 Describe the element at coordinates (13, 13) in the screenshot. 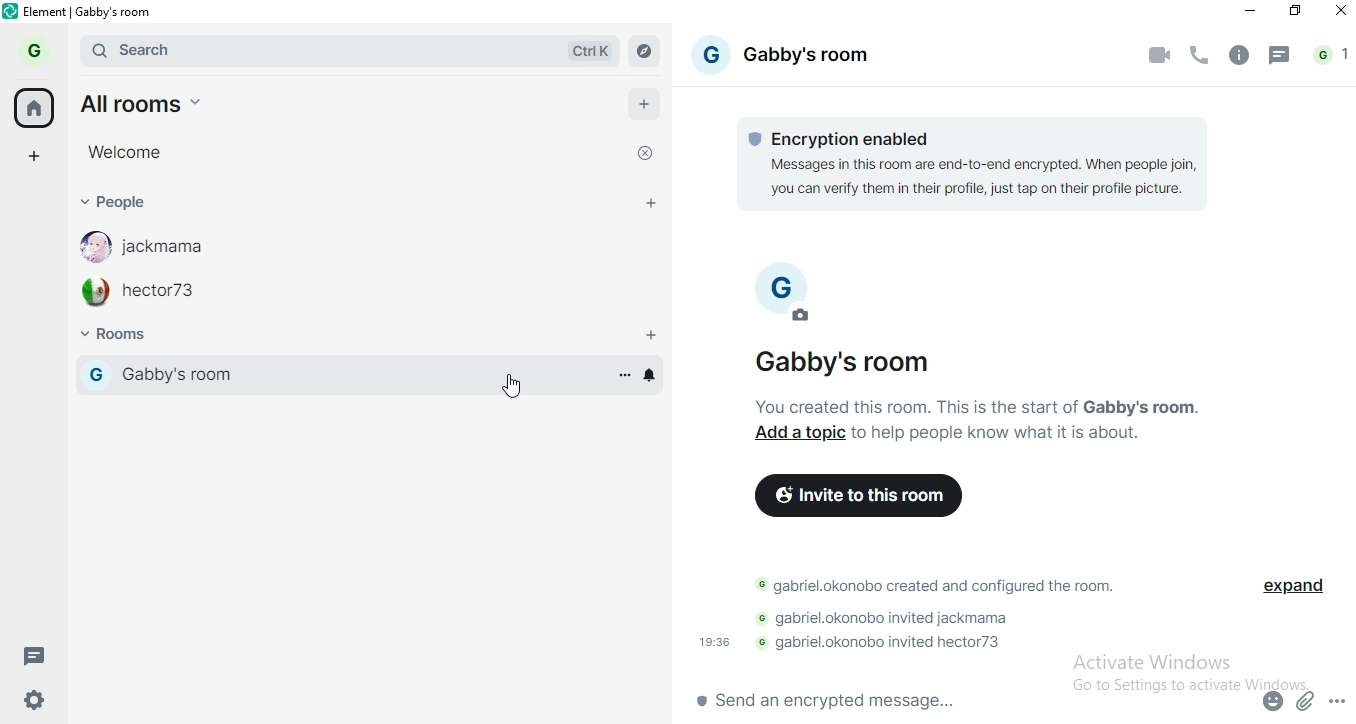

I see `element logo` at that location.